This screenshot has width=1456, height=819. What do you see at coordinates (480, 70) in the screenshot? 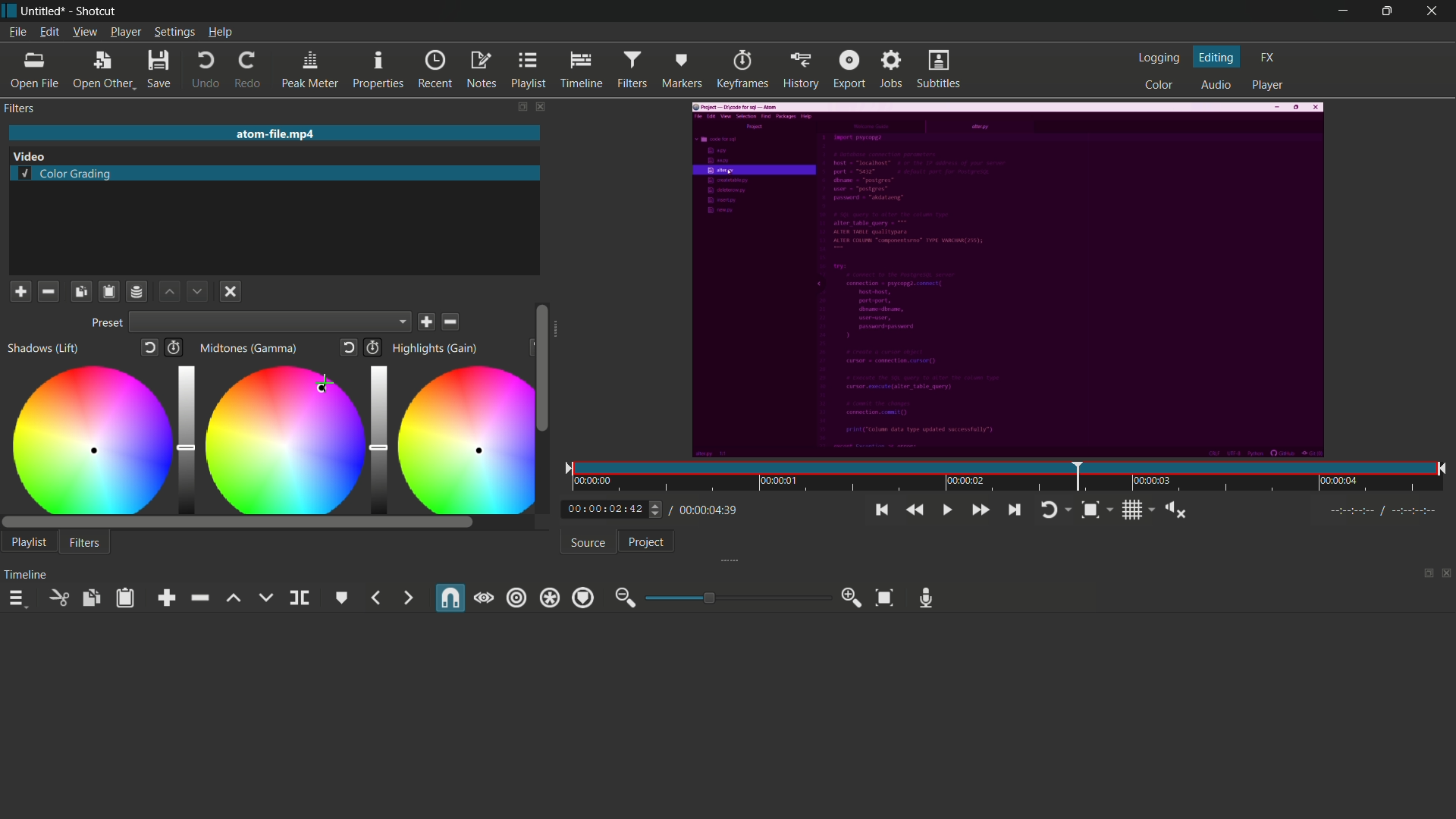
I see `notes` at bounding box center [480, 70].